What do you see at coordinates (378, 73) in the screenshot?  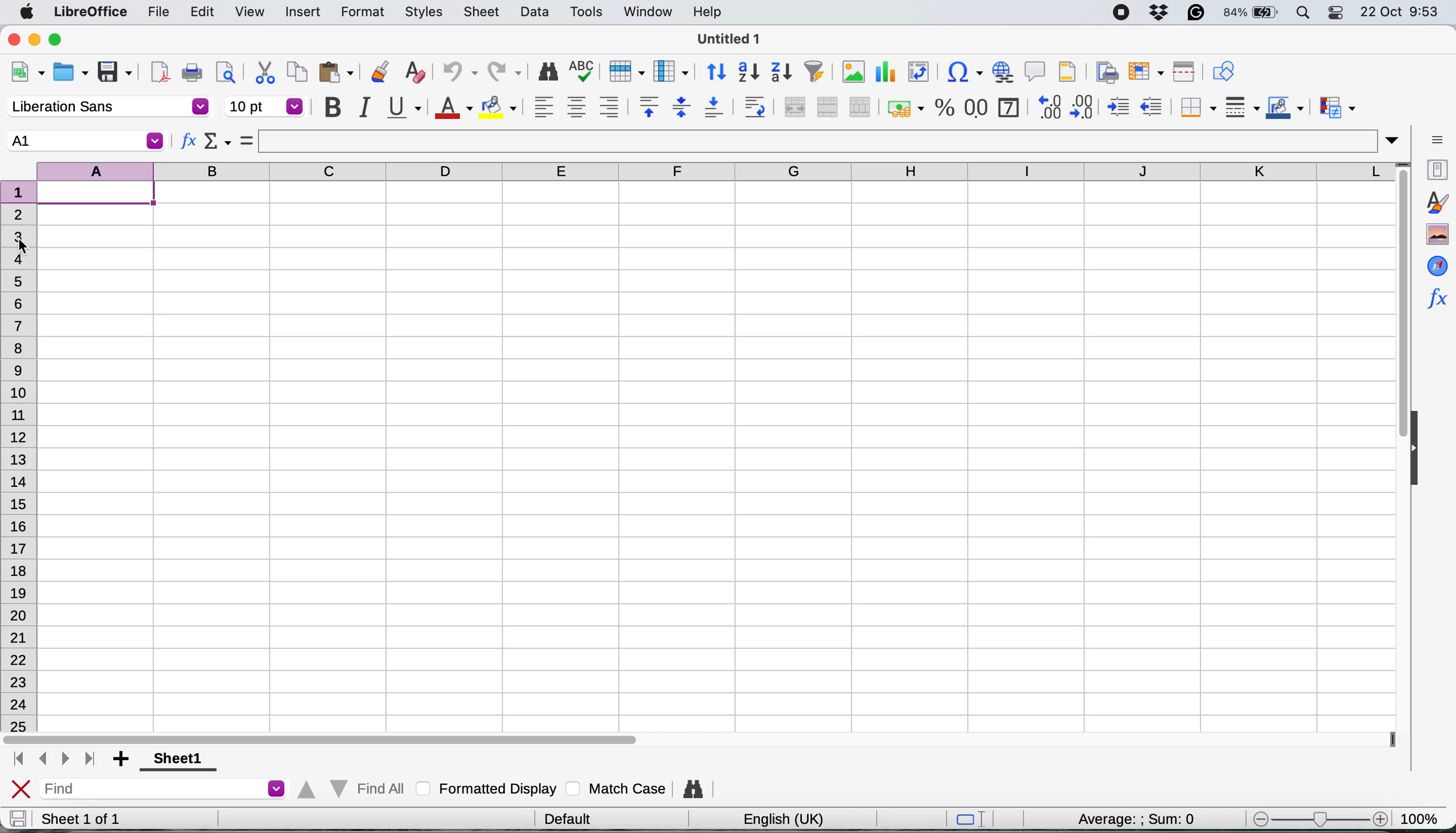 I see `clone formatting` at bounding box center [378, 73].